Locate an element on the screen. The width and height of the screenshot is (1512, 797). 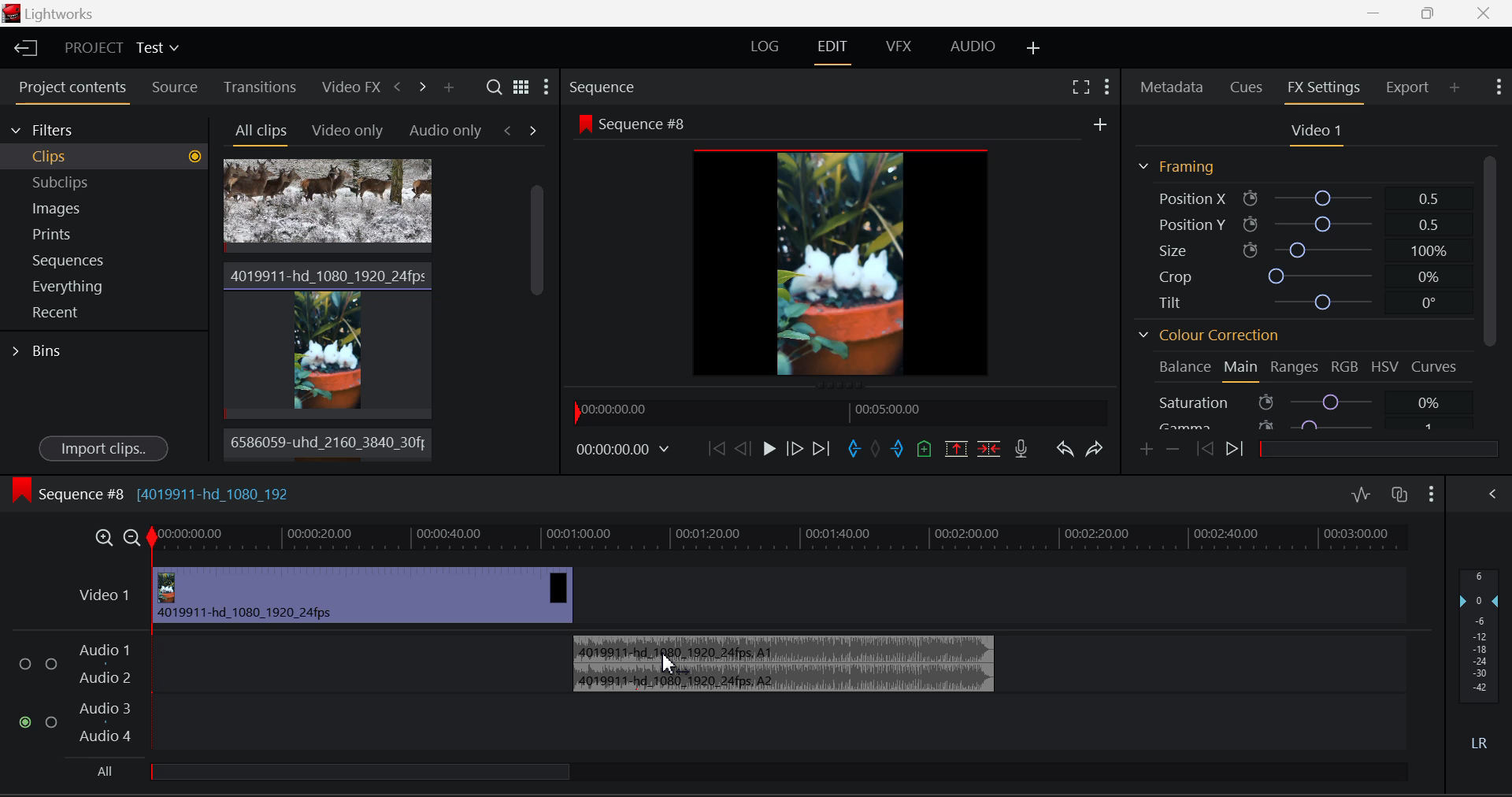
AUDIO Layout is located at coordinates (973, 46).